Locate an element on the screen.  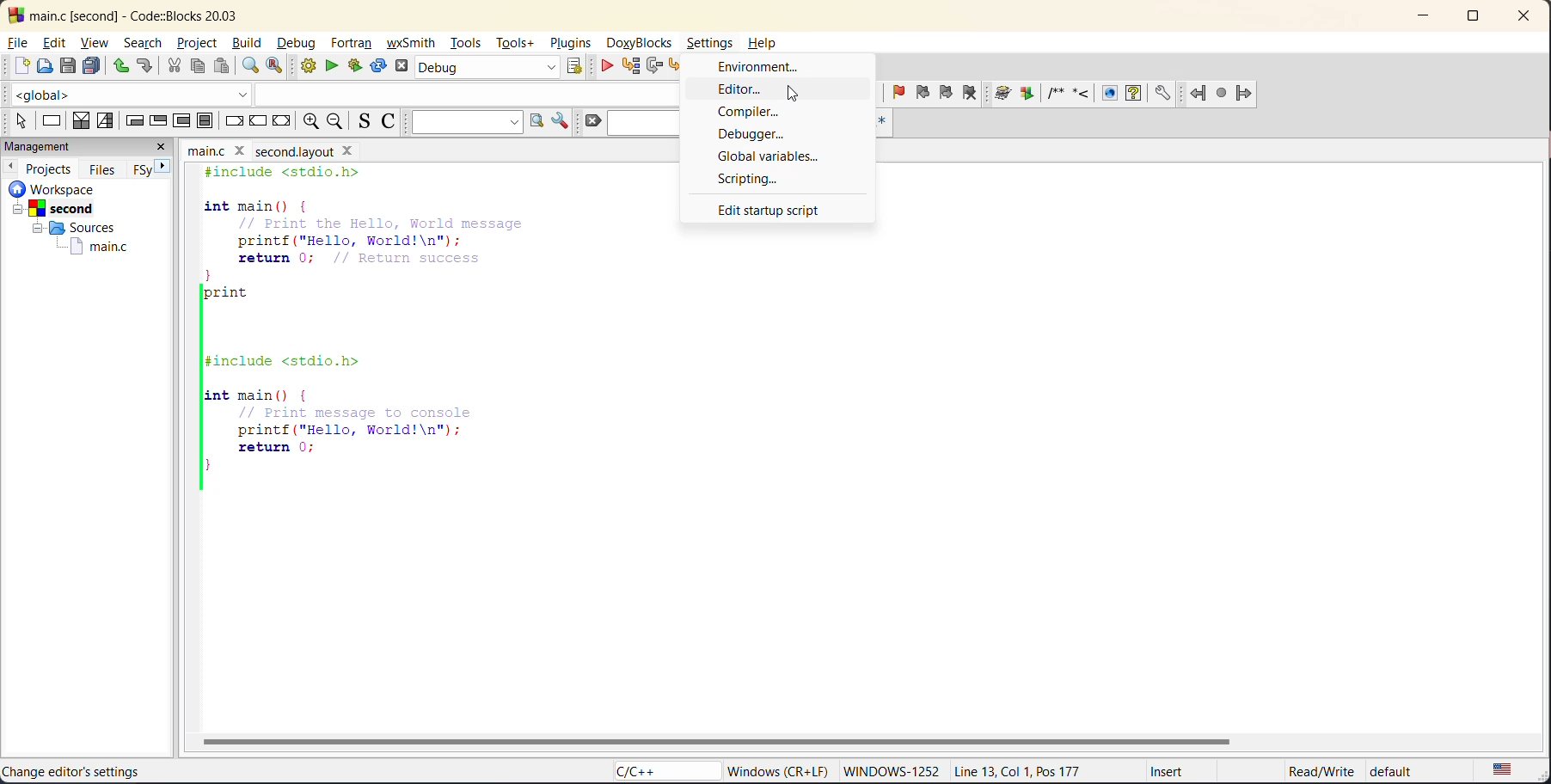
continue instruction is located at coordinates (259, 122).